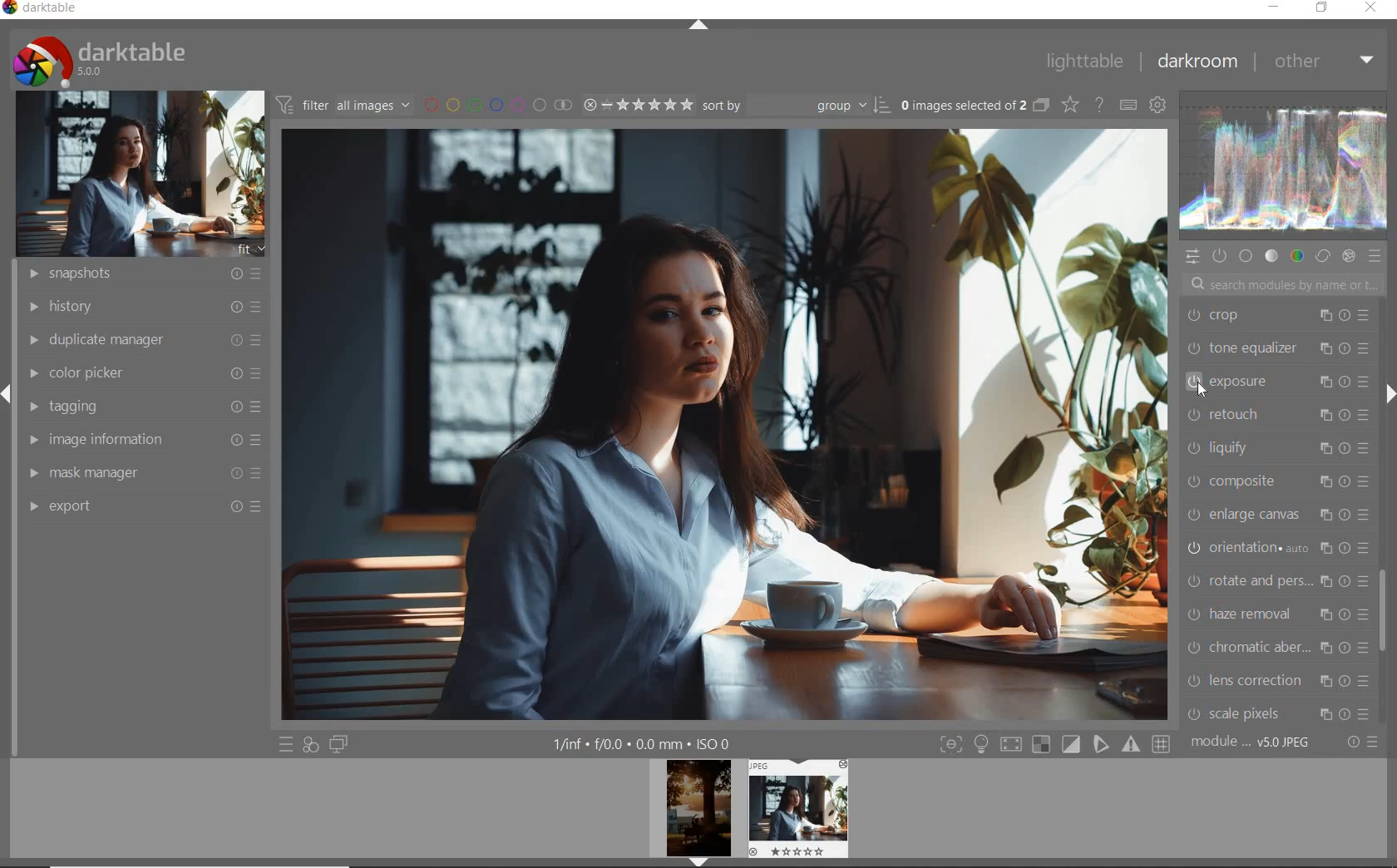 The height and width of the screenshot is (868, 1397). Describe the element at coordinates (1389, 394) in the screenshot. I see `EXPAND/COLLAPSE` at that location.